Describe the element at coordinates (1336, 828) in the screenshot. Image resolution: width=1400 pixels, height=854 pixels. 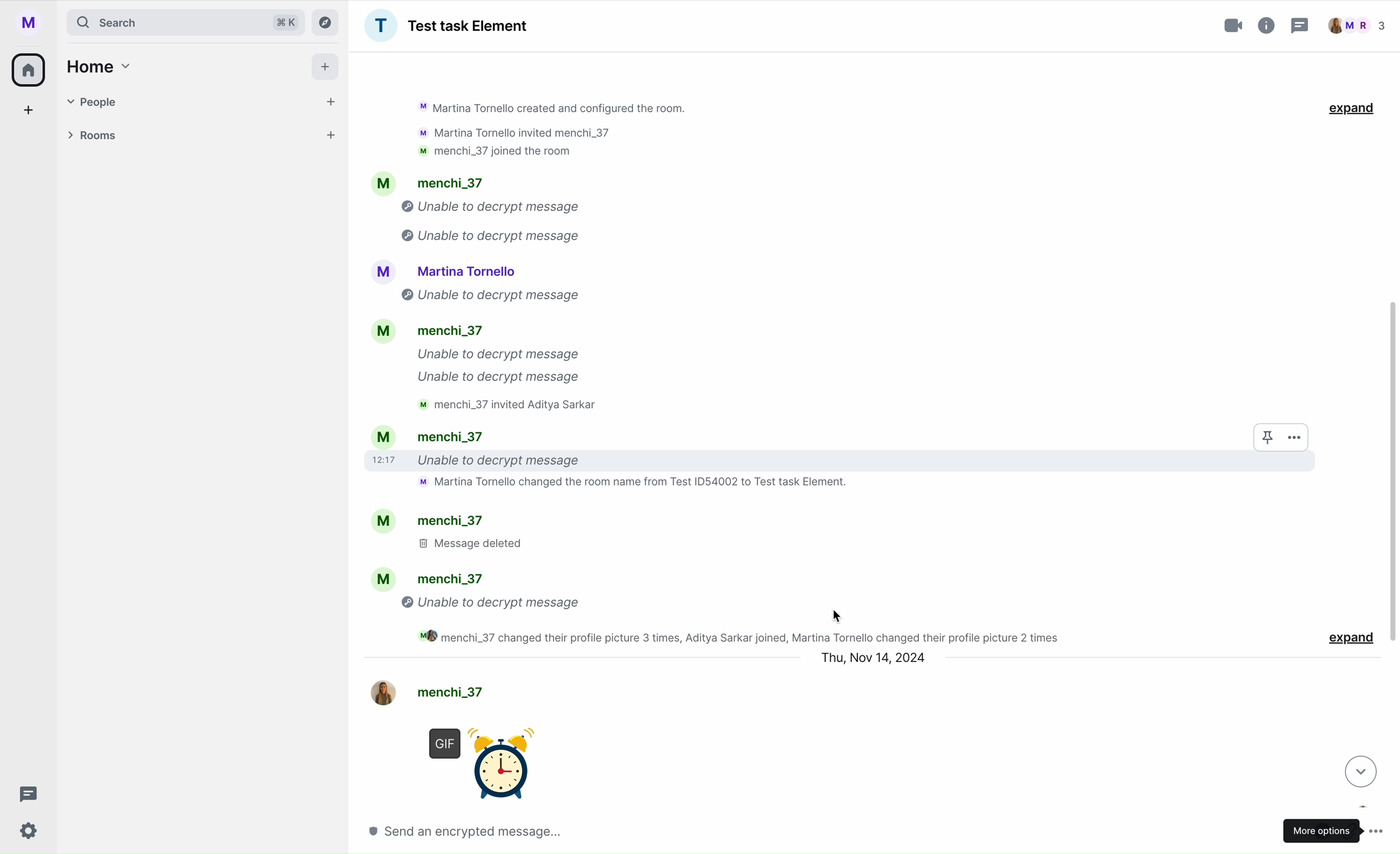
I see `more options` at that location.